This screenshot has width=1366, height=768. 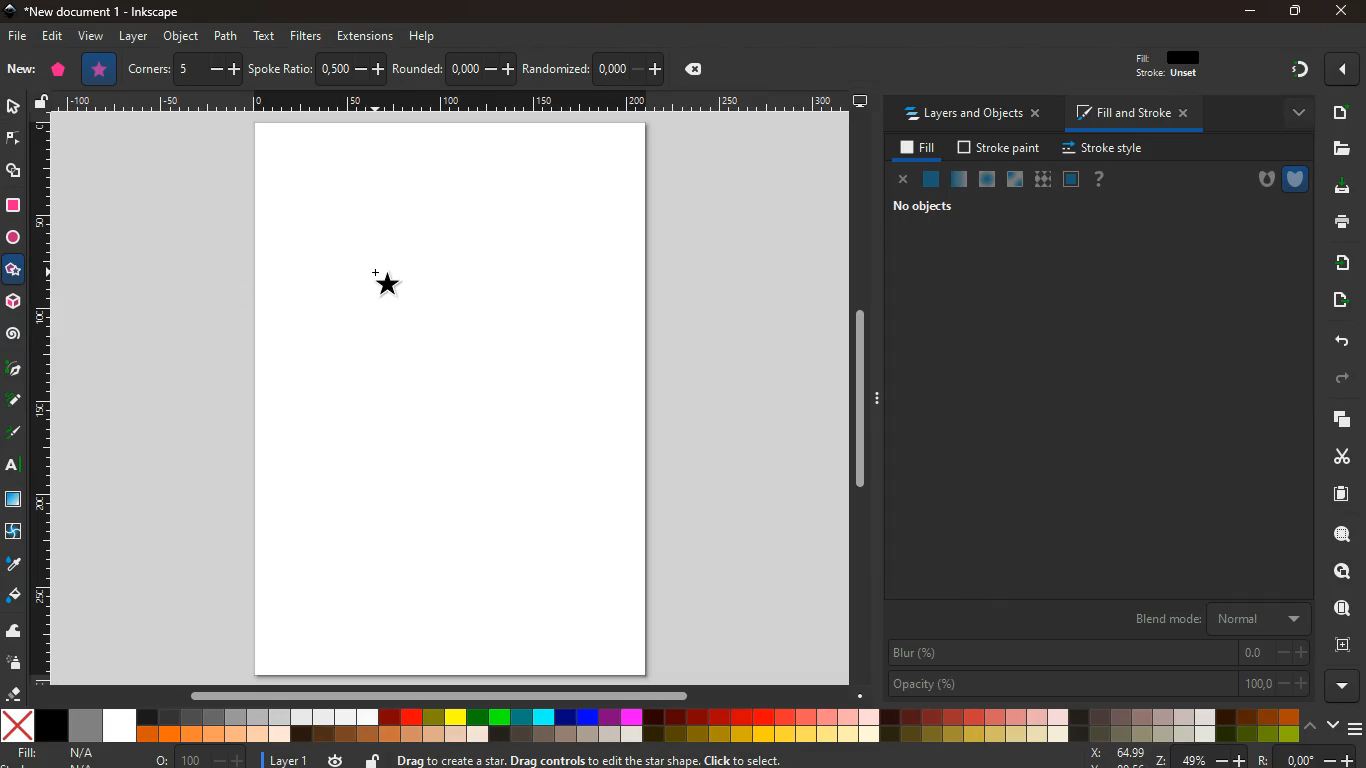 I want to click on zoom, so click(x=1214, y=758).